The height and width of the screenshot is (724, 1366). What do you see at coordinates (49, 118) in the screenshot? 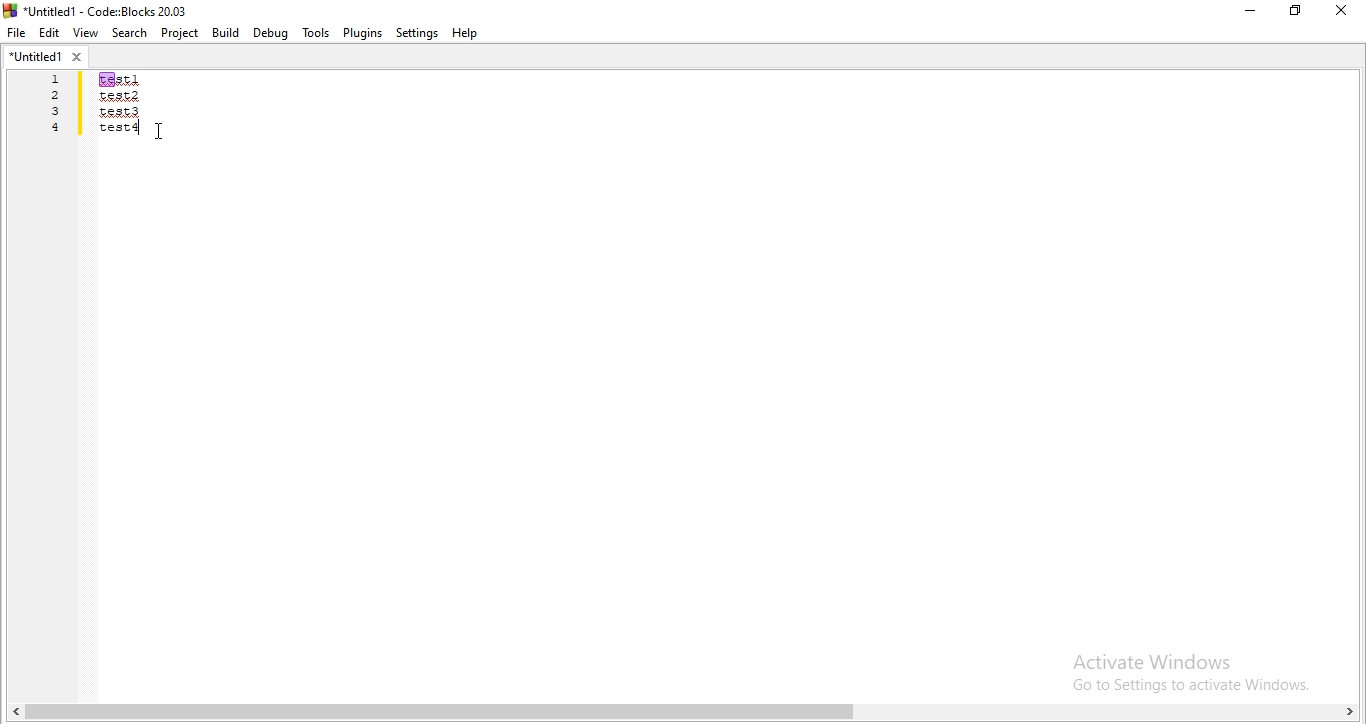
I see `1,2,3,4,5` at bounding box center [49, 118].